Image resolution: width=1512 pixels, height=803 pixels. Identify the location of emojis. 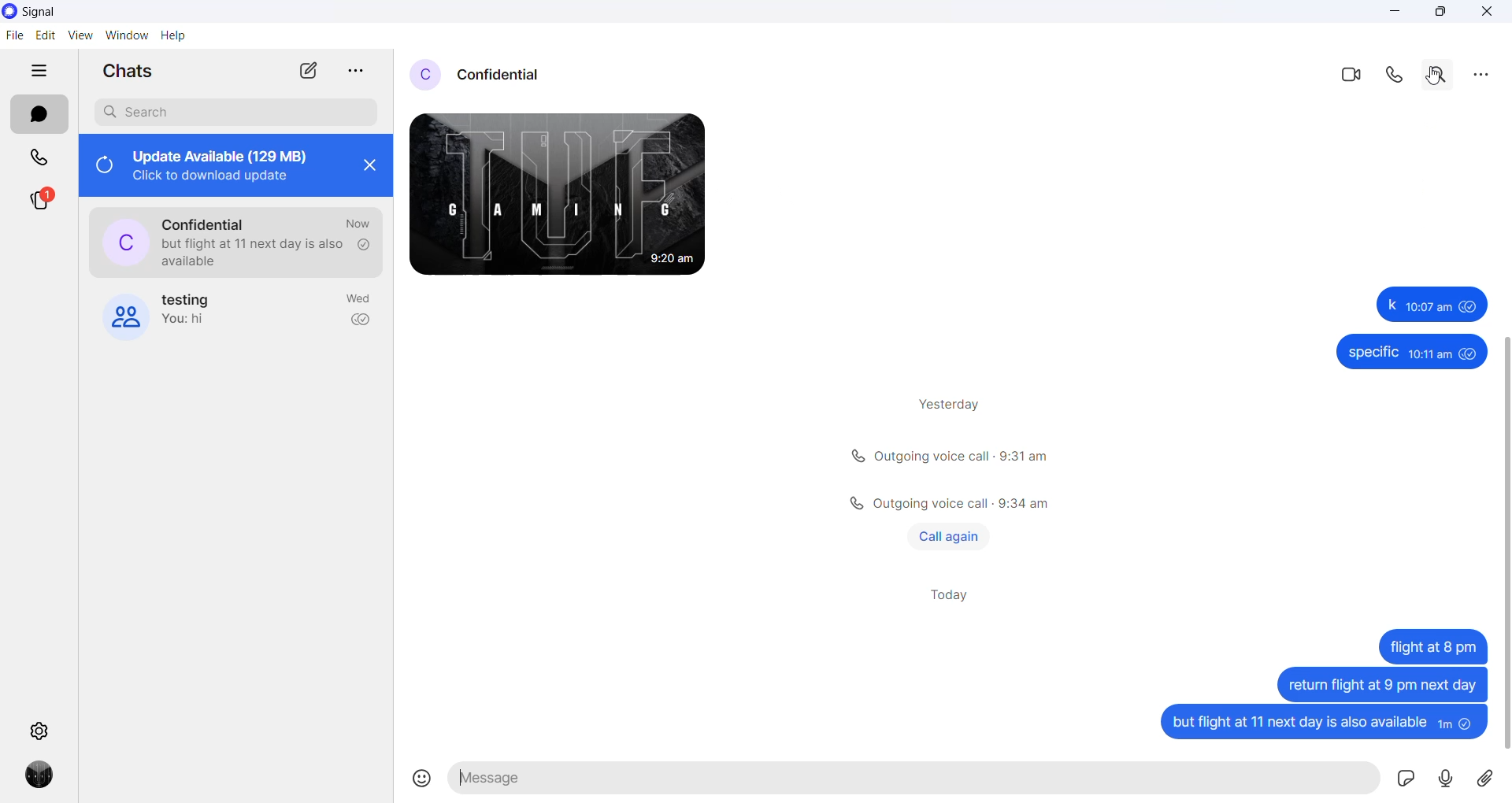
(421, 780).